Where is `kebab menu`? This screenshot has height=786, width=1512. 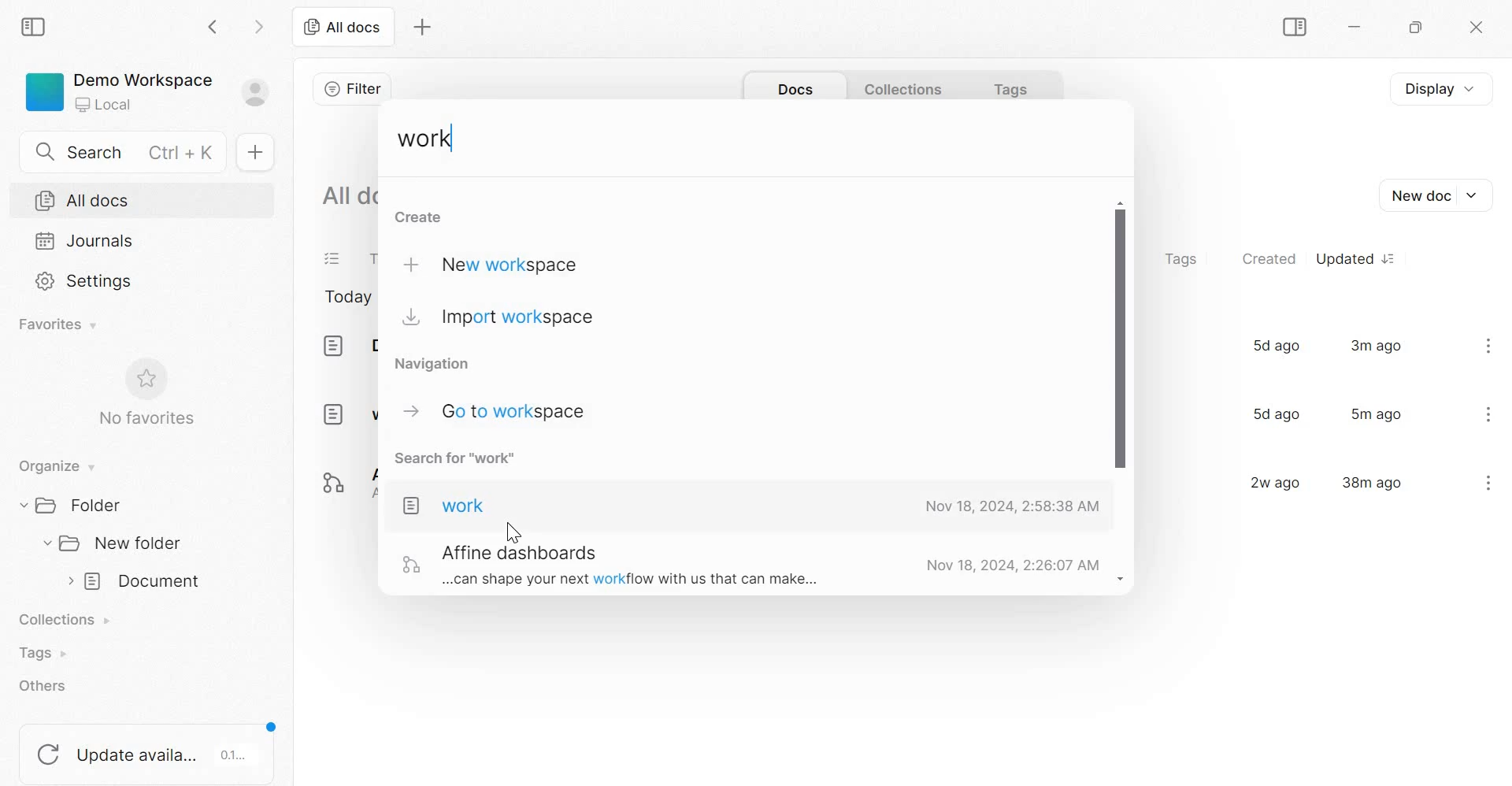
kebab menu is located at coordinates (1489, 414).